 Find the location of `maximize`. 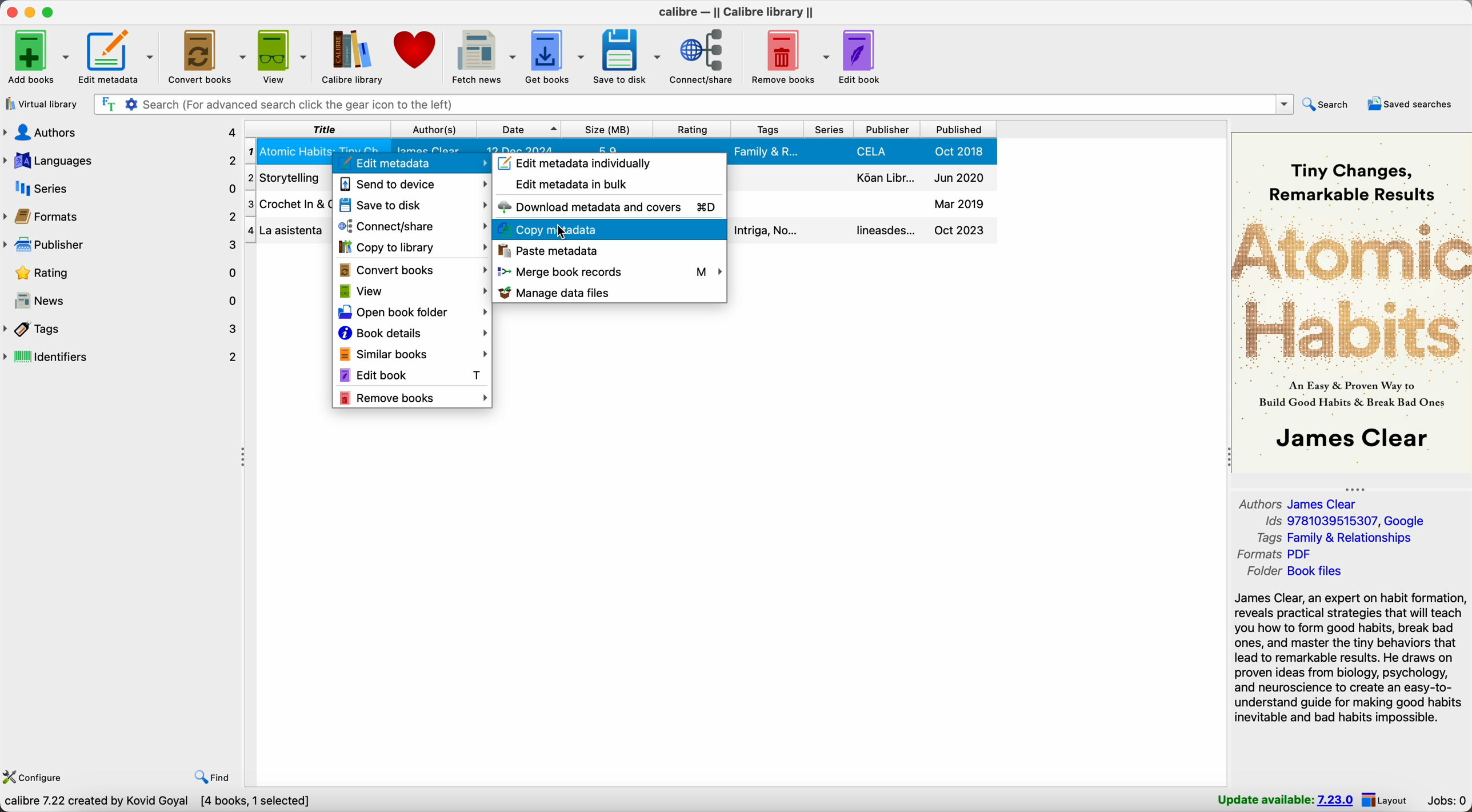

maximize is located at coordinates (50, 11).